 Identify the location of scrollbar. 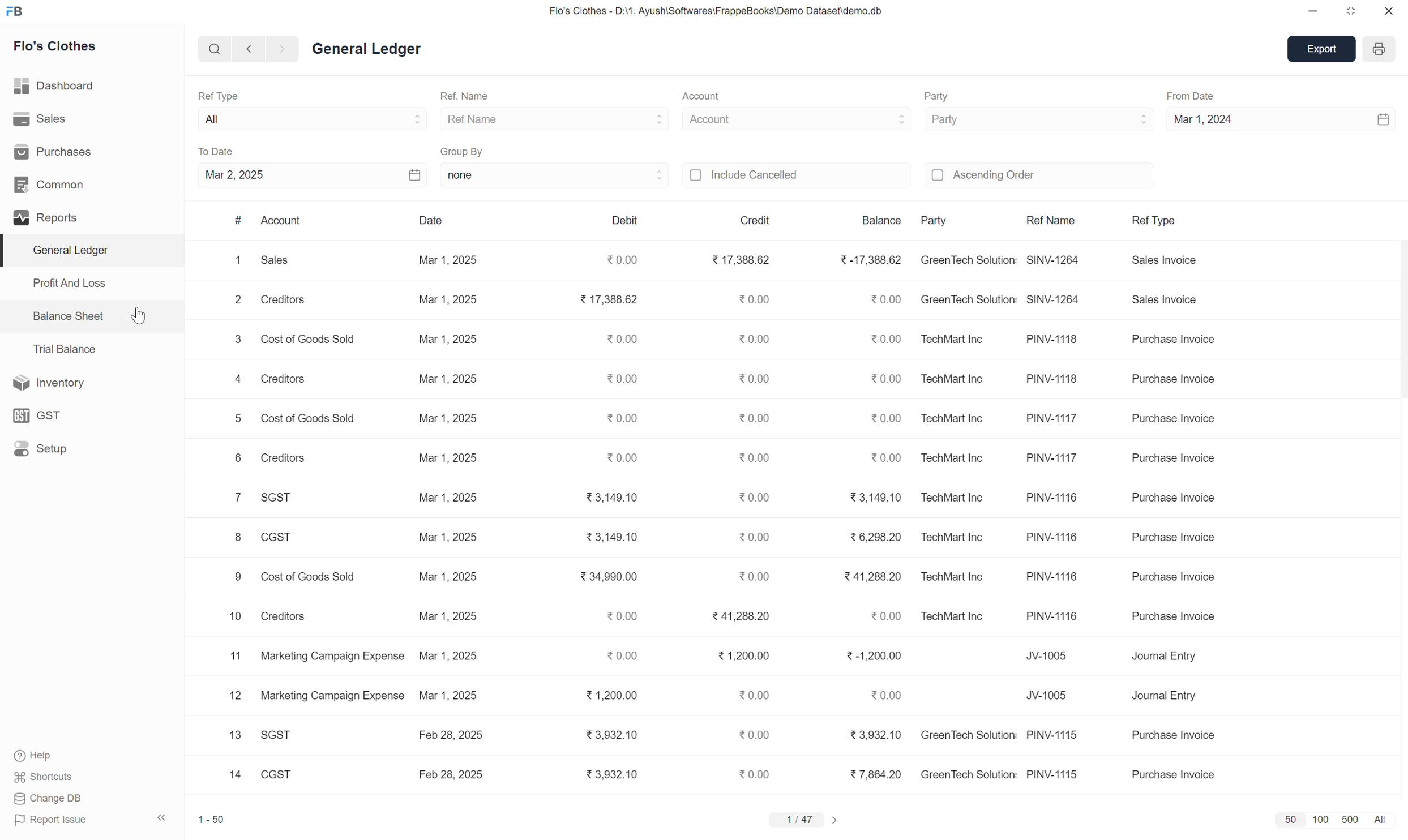
(1400, 328).